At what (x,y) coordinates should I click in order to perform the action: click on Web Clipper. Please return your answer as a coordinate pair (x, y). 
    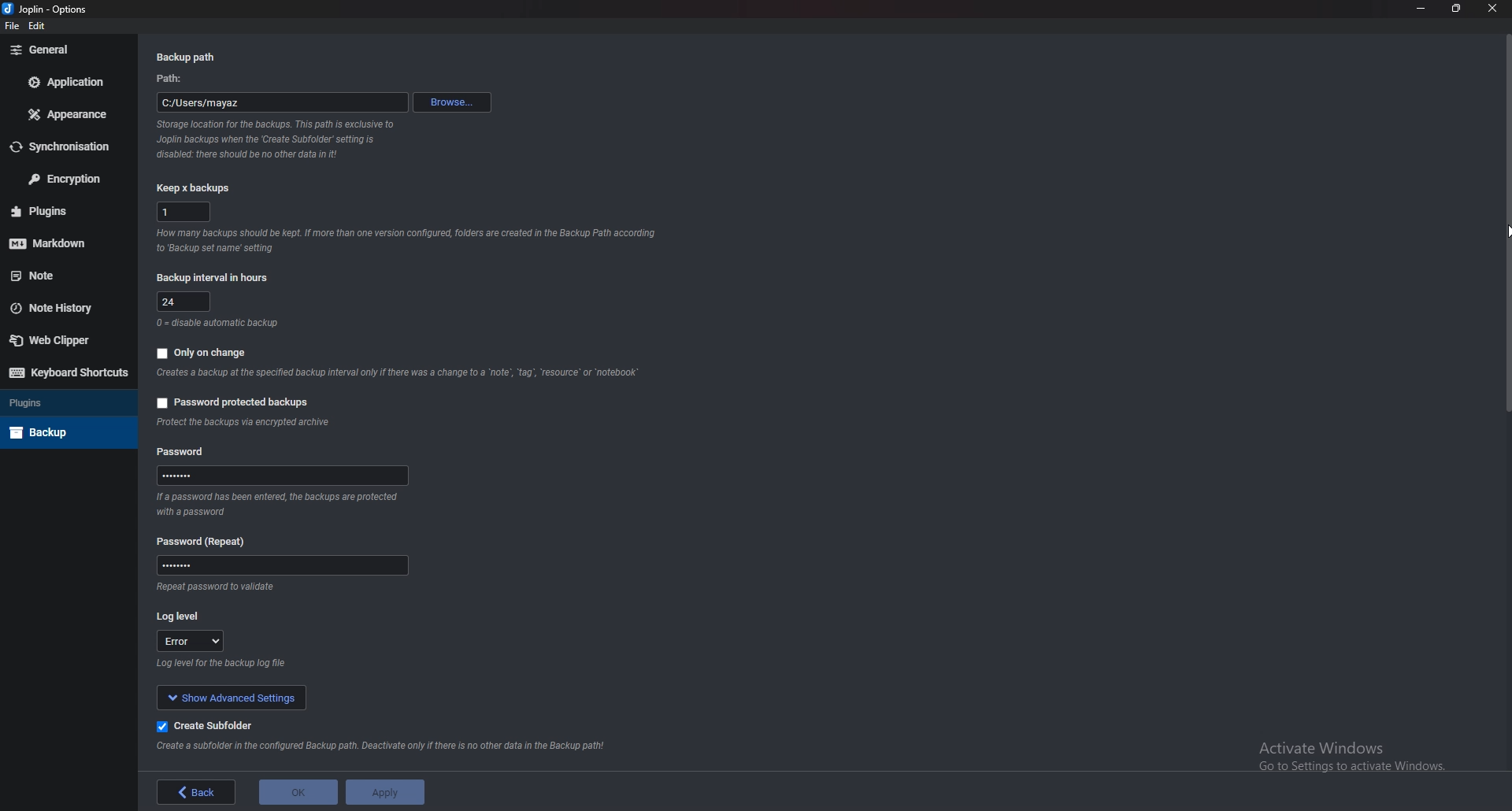
    Looking at the image, I should click on (61, 339).